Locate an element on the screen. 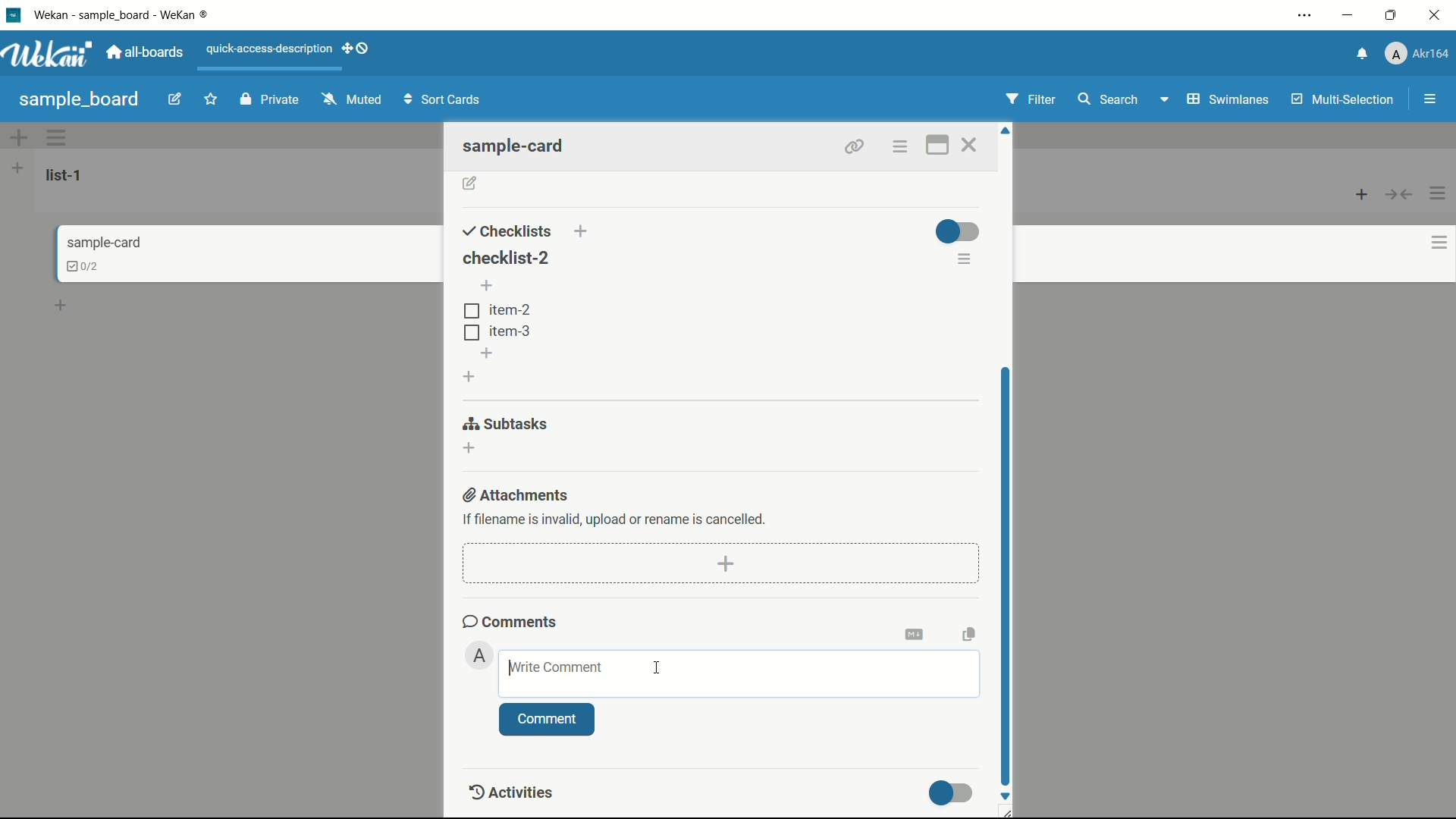  checklist-2 is located at coordinates (504, 256).